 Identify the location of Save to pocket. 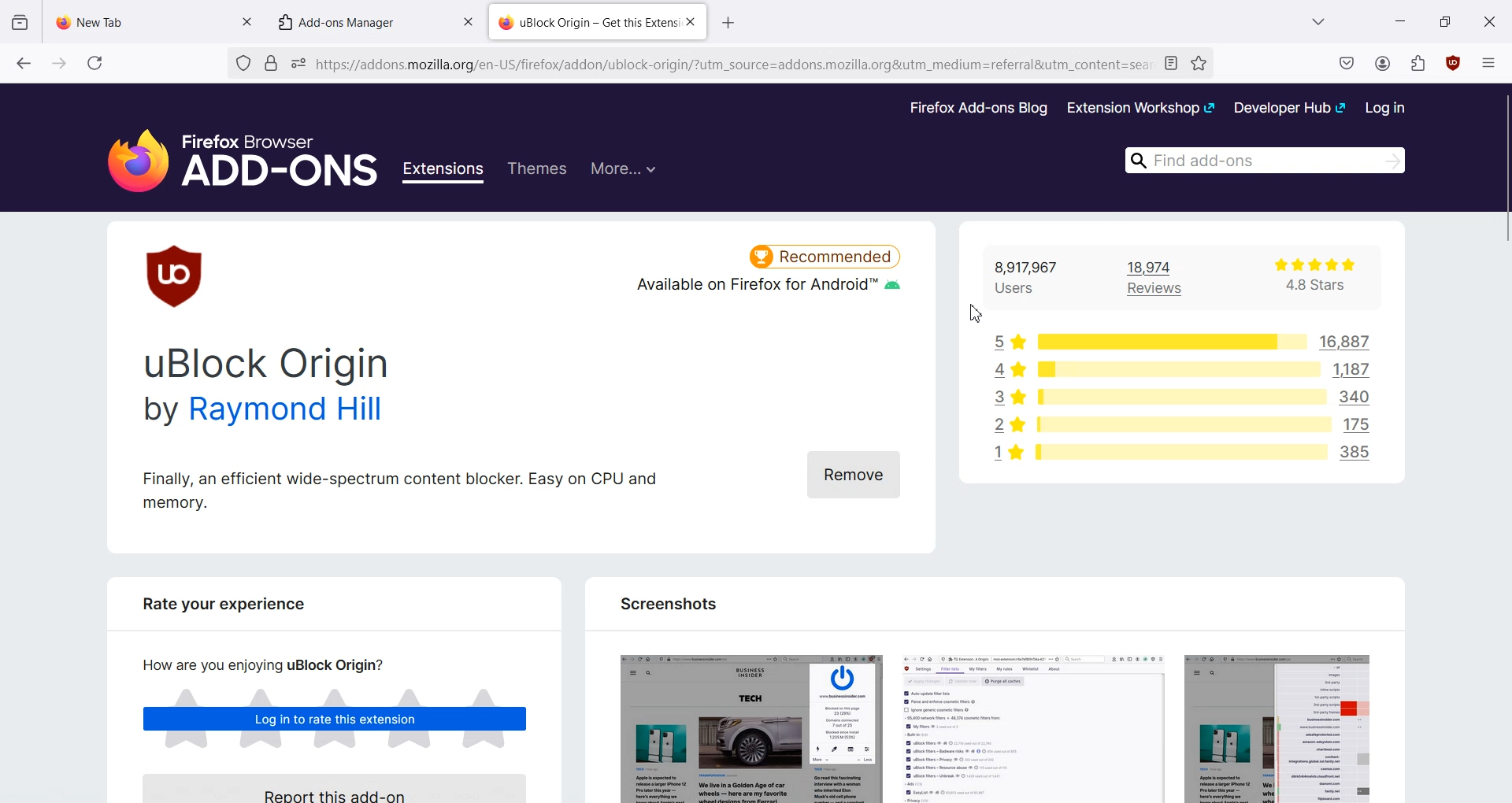
(1348, 65).